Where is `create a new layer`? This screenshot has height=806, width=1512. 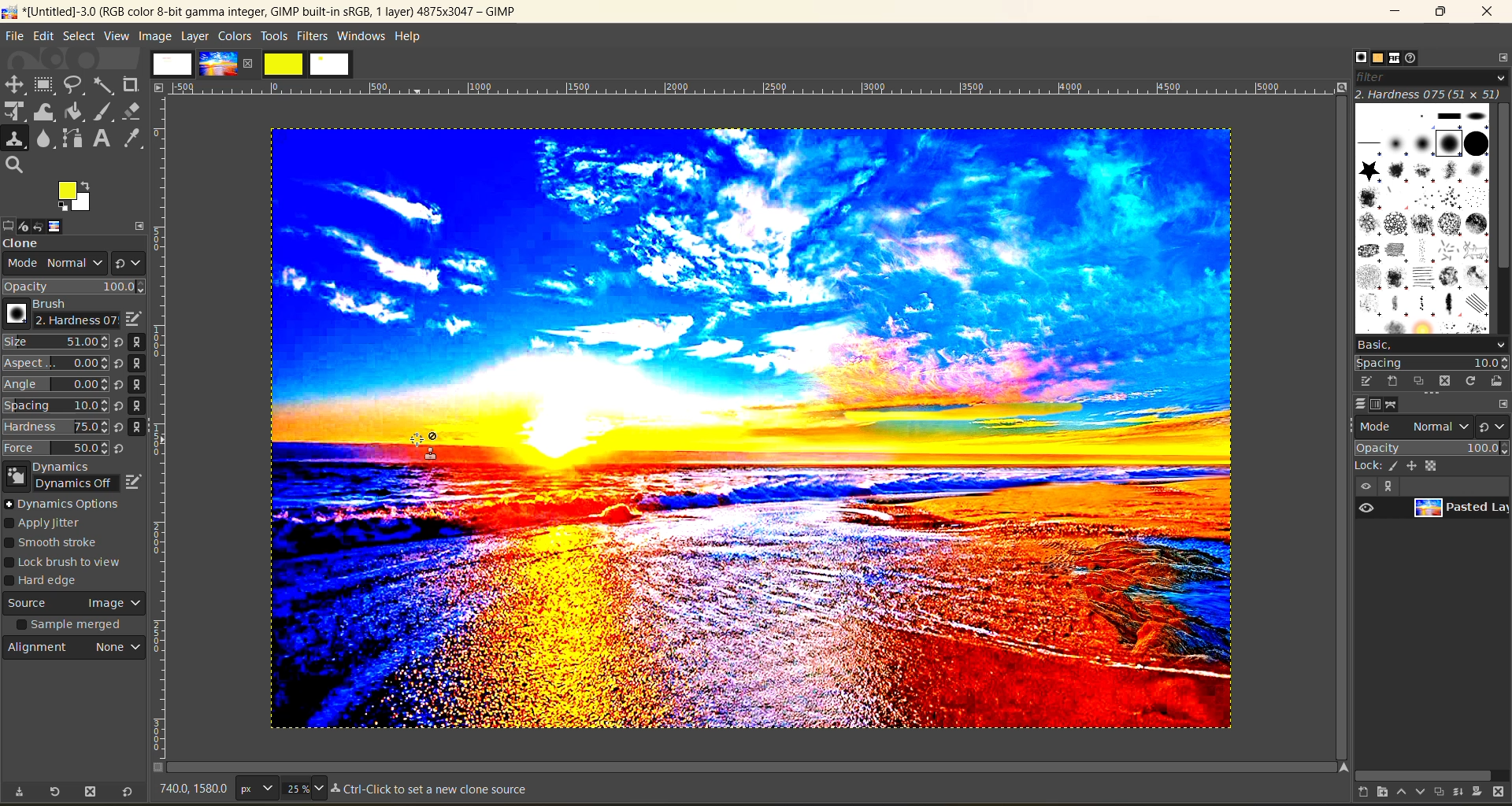 create a new layer is located at coordinates (1354, 793).